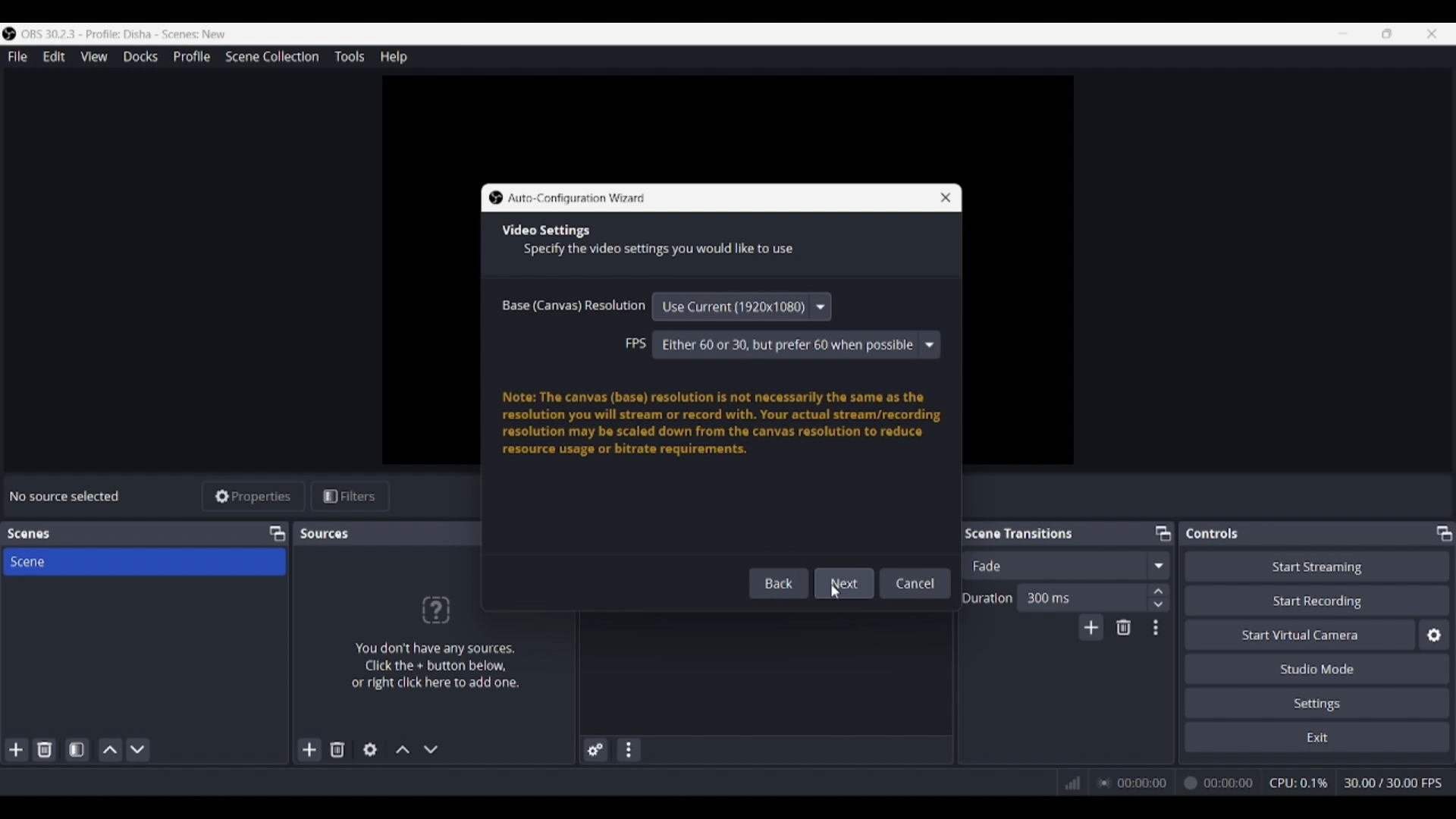 Image resolution: width=1456 pixels, height=819 pixels. Describe the element at coordinates (1067, 781) in the screenshot. I see `Network` at that location.